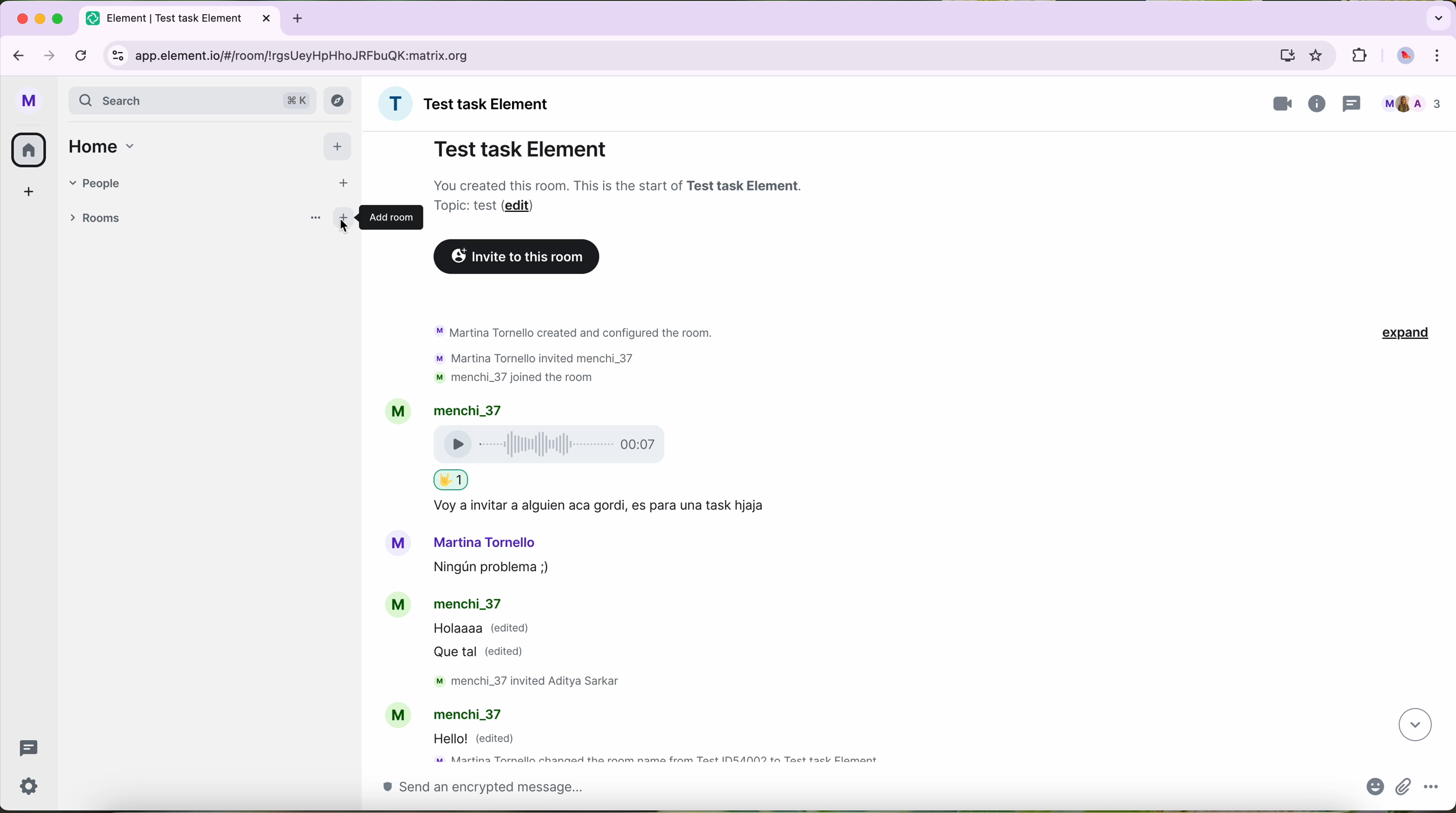  What do you see at coordinates (1437, 17) in the screenshot?
I see `search tabs` at bounding box center [1437, 17].